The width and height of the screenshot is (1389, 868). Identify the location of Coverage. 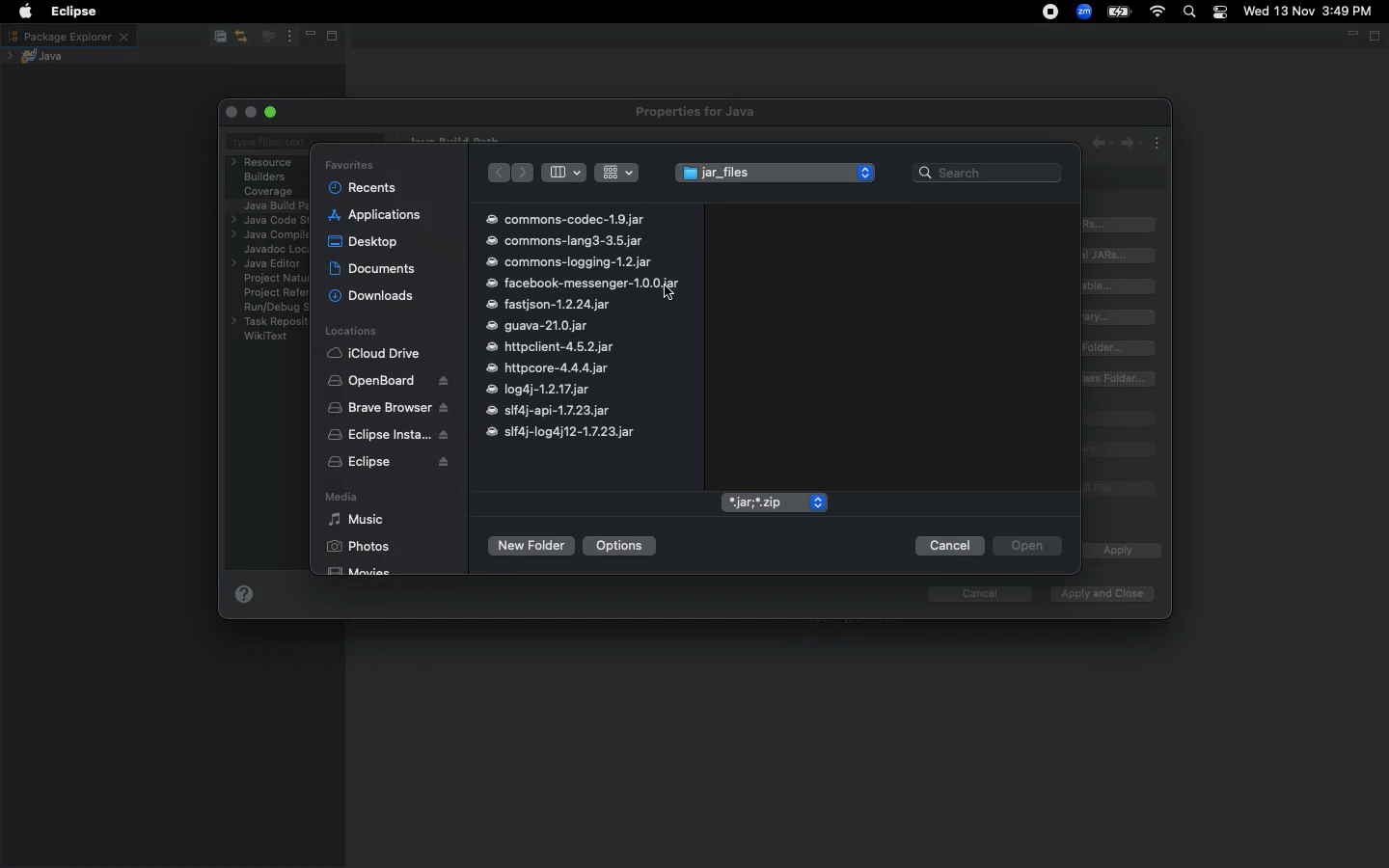
(269, 192).